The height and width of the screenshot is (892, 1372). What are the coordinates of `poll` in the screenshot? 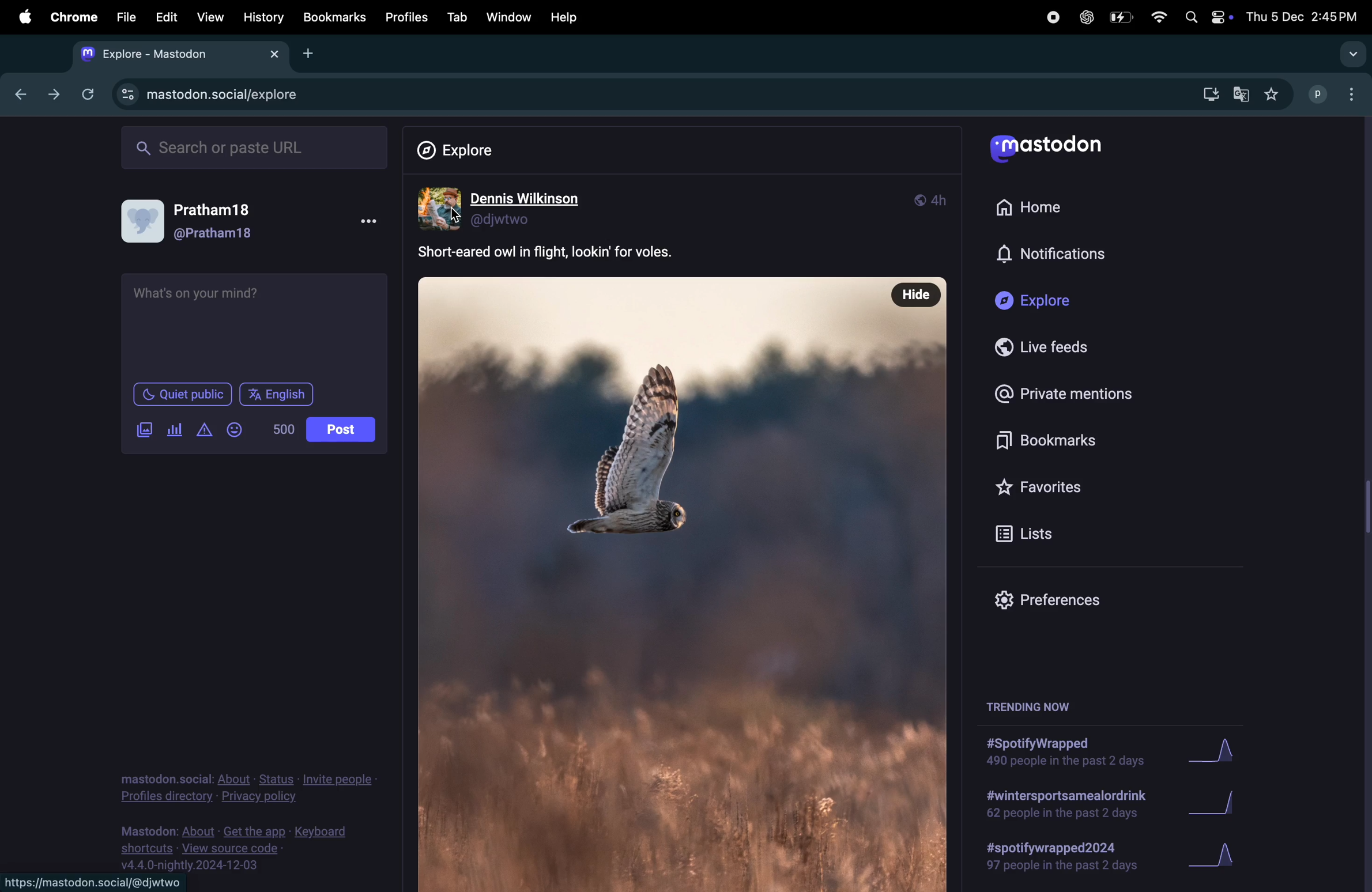 It's located at (174, 428).